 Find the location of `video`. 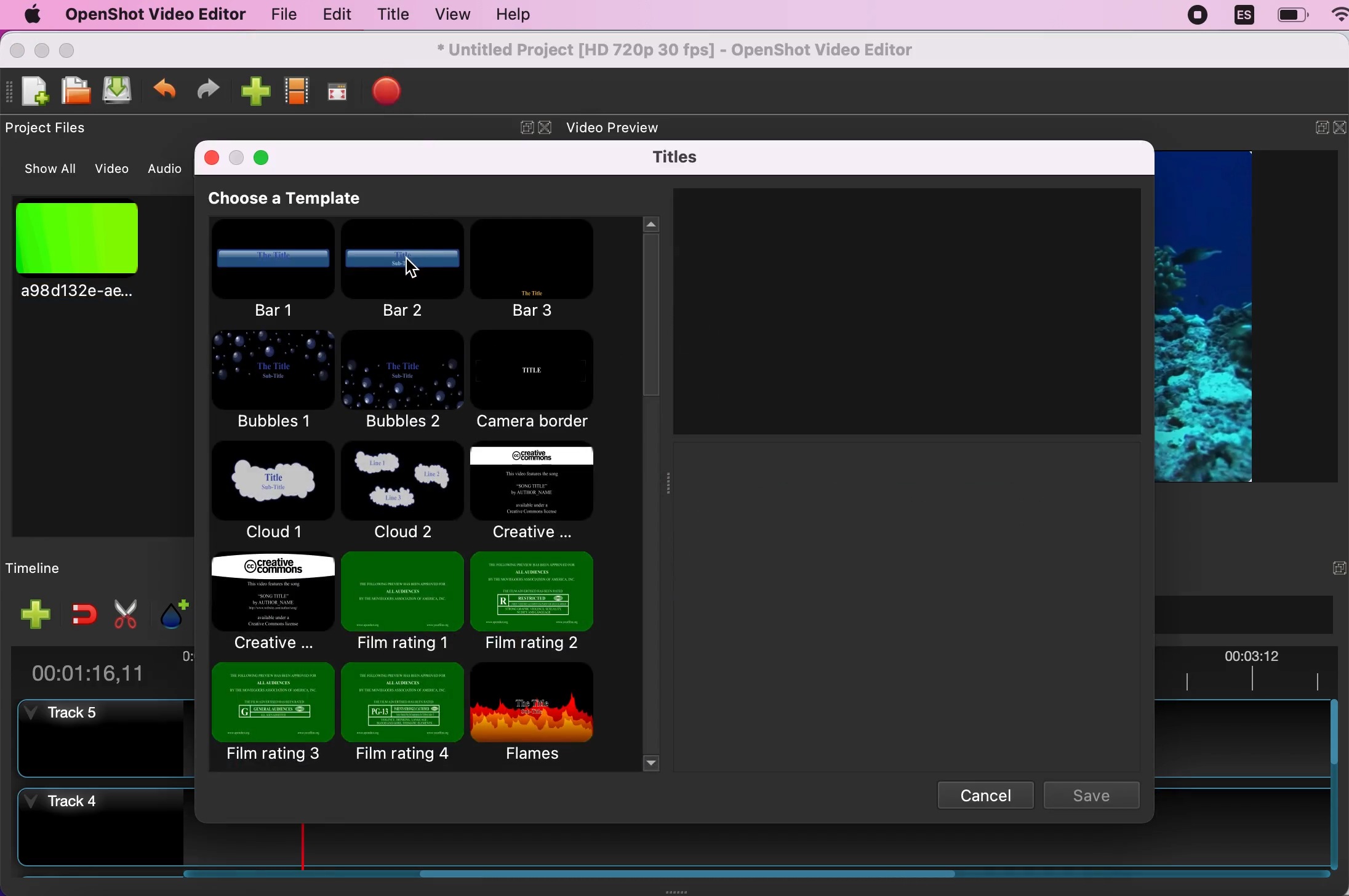

video is located at coordinates (114, 167).